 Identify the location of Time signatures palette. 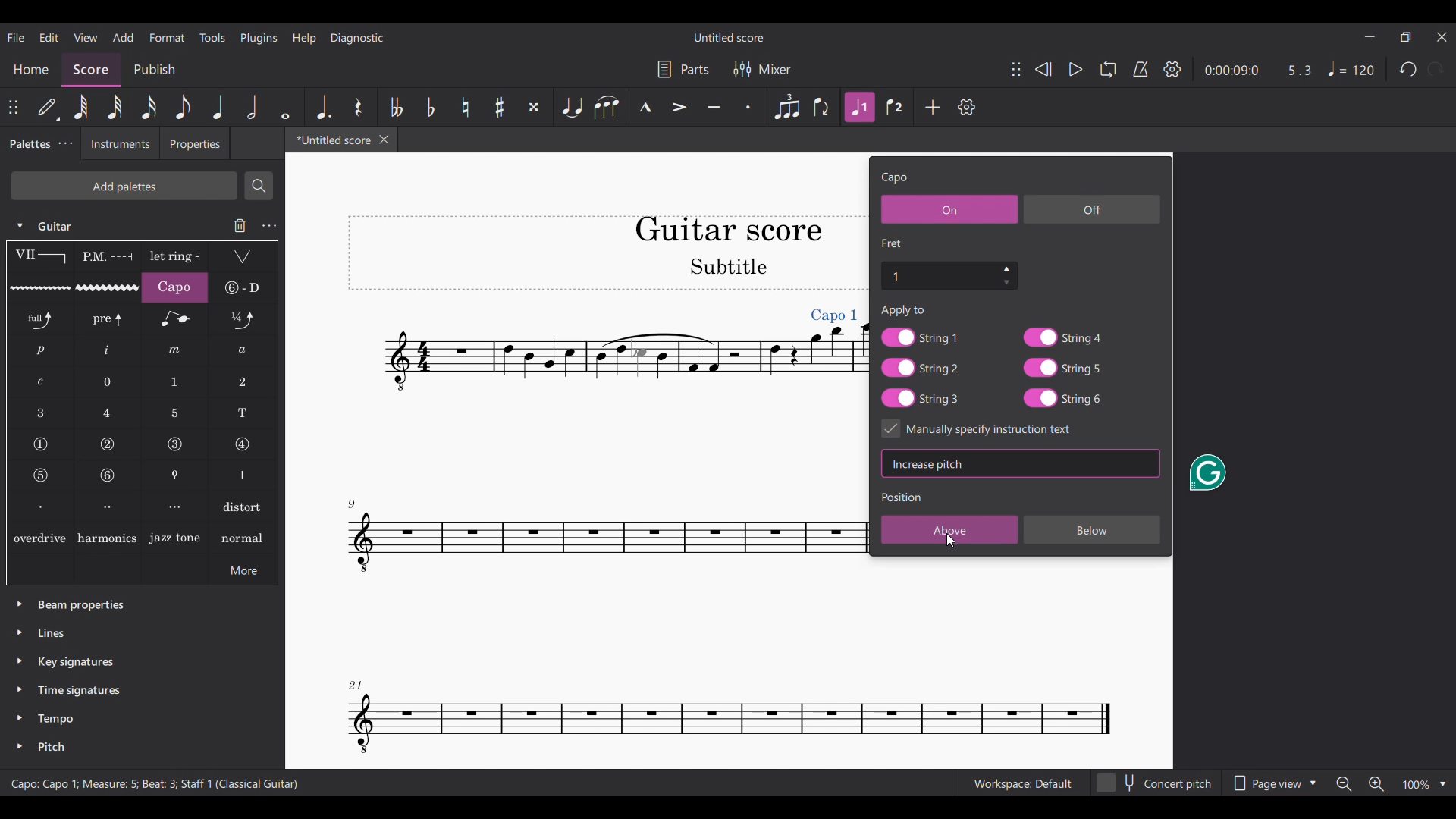
(79, 690).